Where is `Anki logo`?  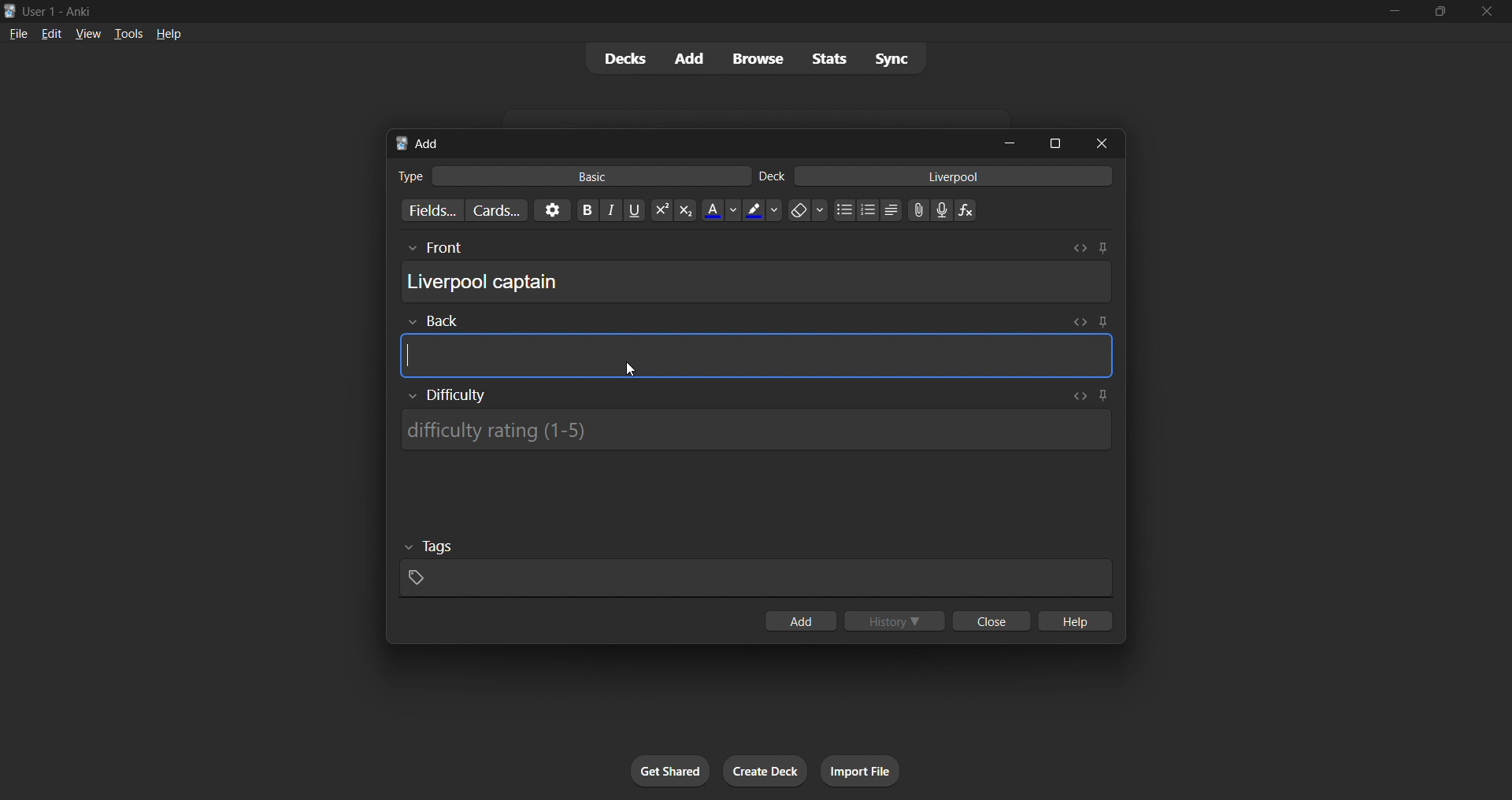
Anki logo is located at coordinates (10, 11).